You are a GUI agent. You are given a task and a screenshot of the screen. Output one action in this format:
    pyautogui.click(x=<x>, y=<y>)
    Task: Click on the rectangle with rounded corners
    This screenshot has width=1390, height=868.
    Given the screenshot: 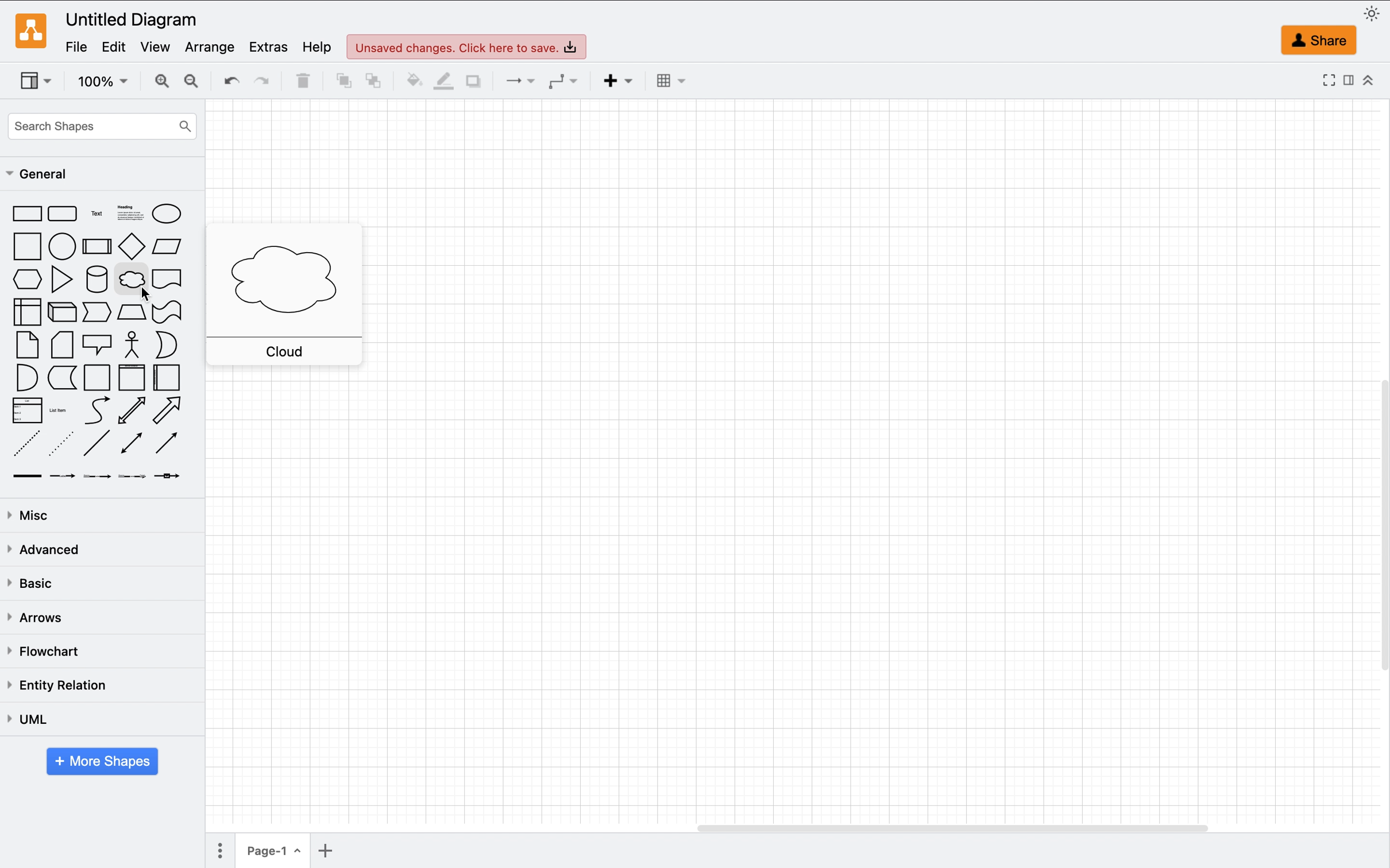 What is the action you would take?
    pyautogui.click(x=63, y=214)
    